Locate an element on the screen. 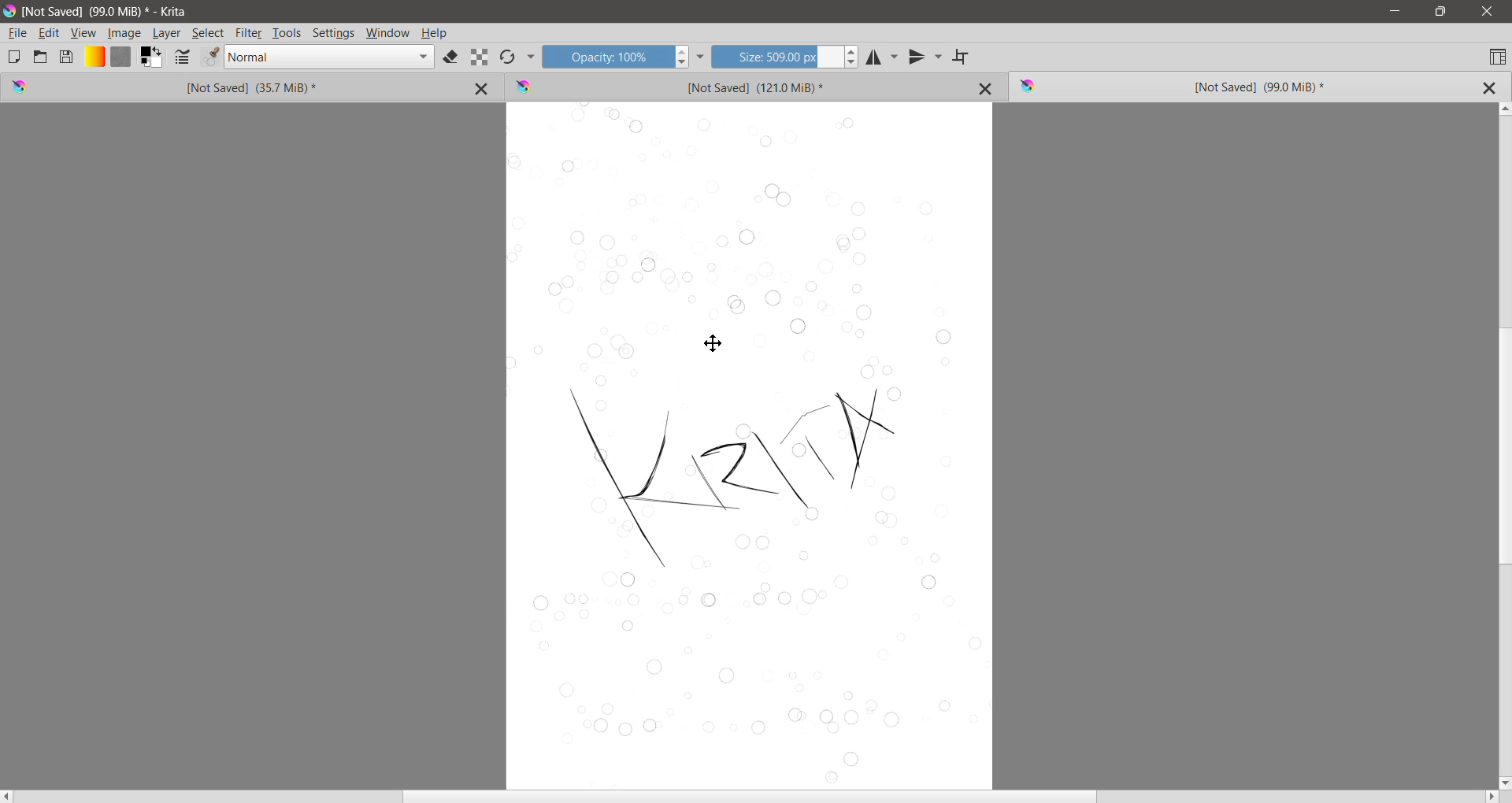 This screenshot has width=1512, height=803. Window is located at coordinates (388, 34).